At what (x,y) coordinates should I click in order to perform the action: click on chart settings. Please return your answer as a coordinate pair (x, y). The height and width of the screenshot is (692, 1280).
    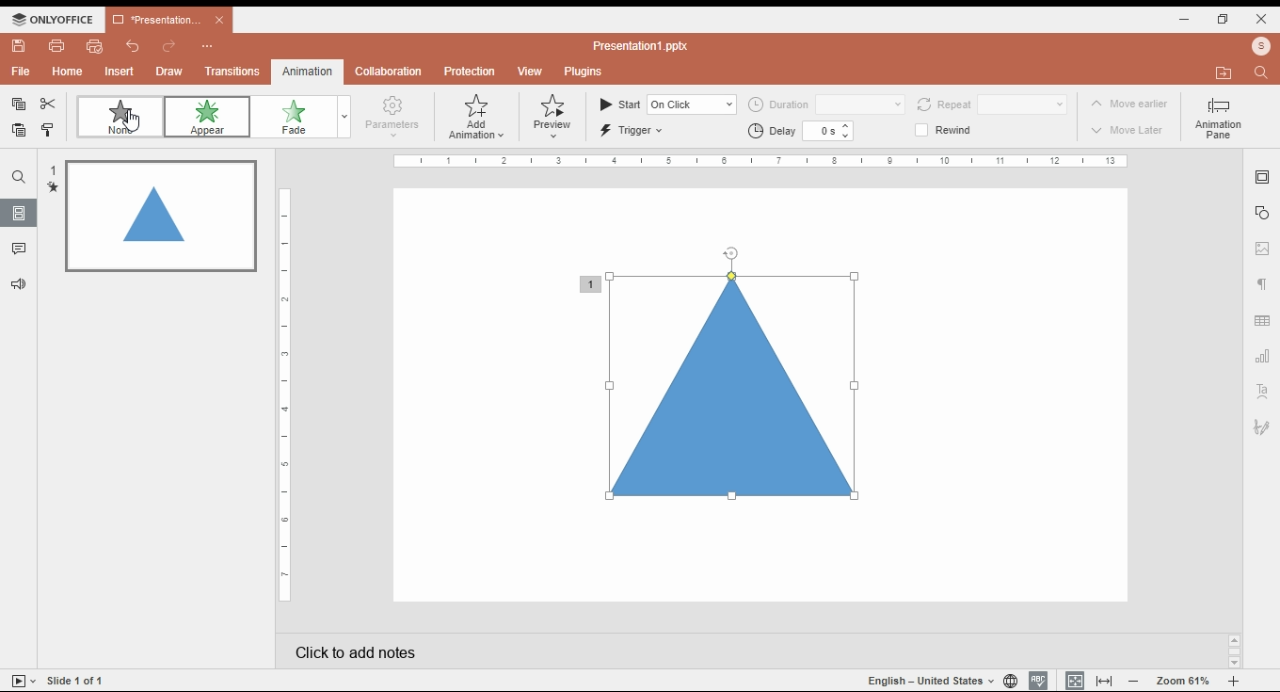
    Looking at the image, I should click on (1264, 357).